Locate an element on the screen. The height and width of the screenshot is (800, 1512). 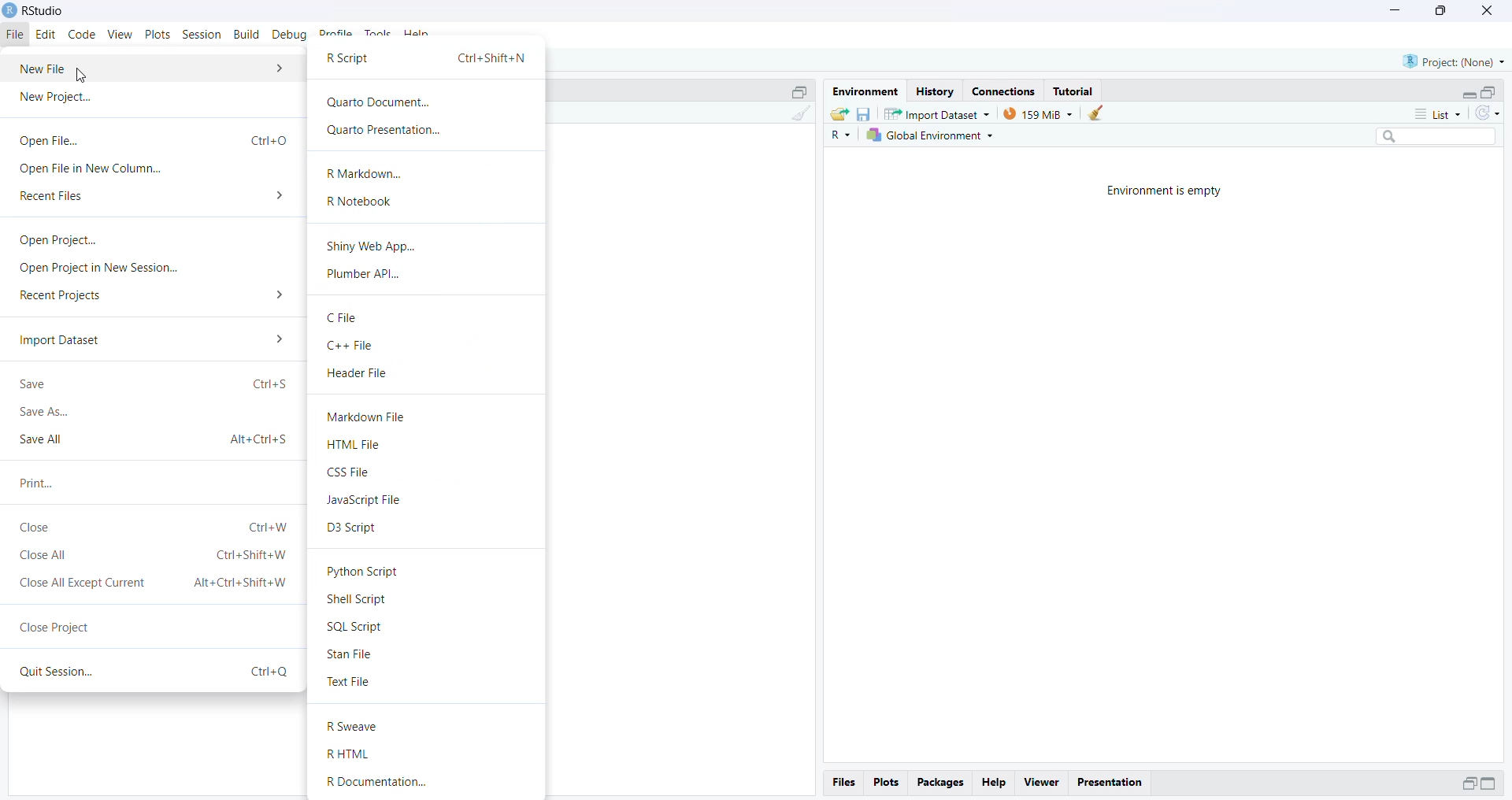
help is located at coordinates (995, 781).